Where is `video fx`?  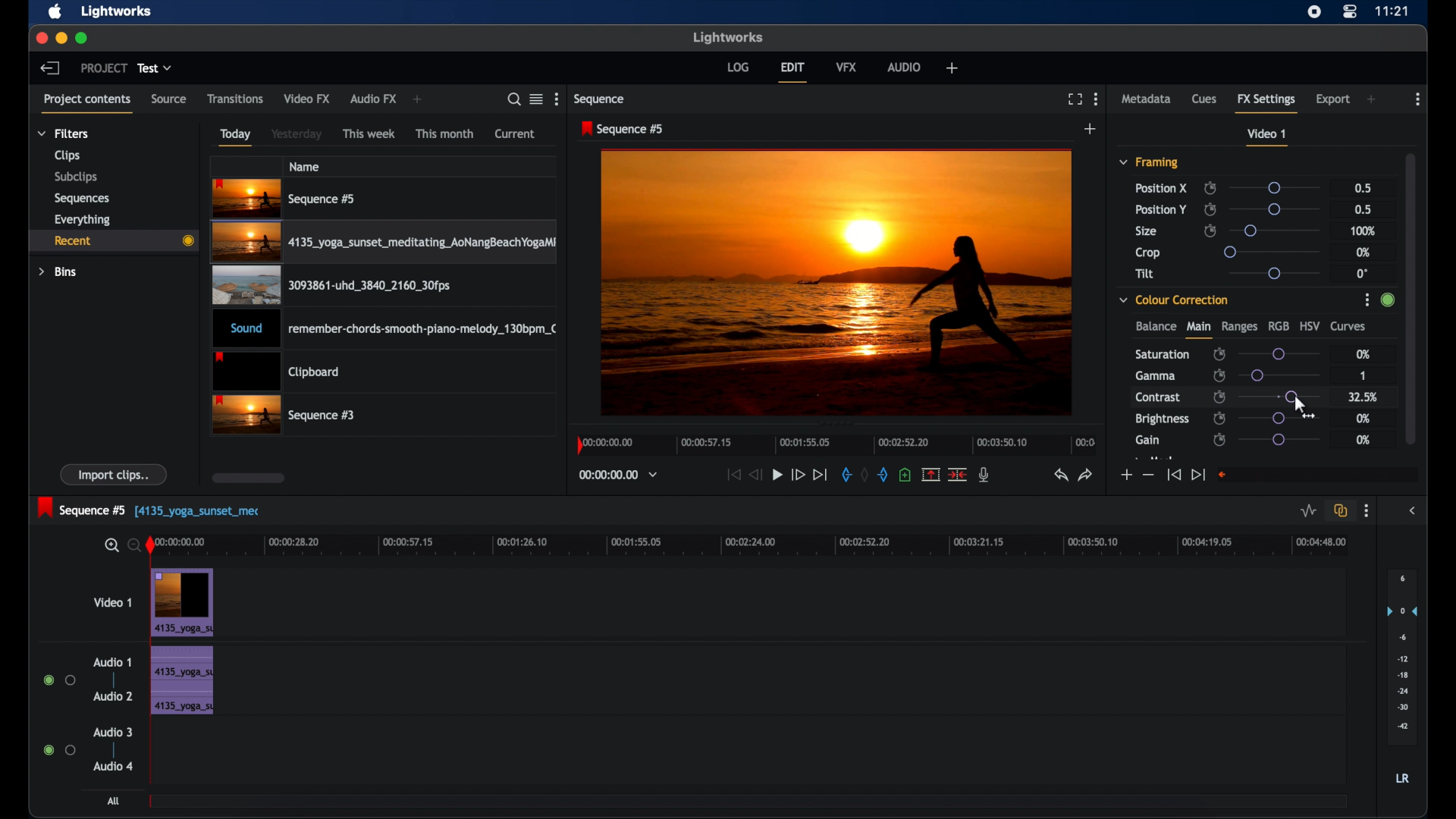 video fx is located at coordinates (306, 99).